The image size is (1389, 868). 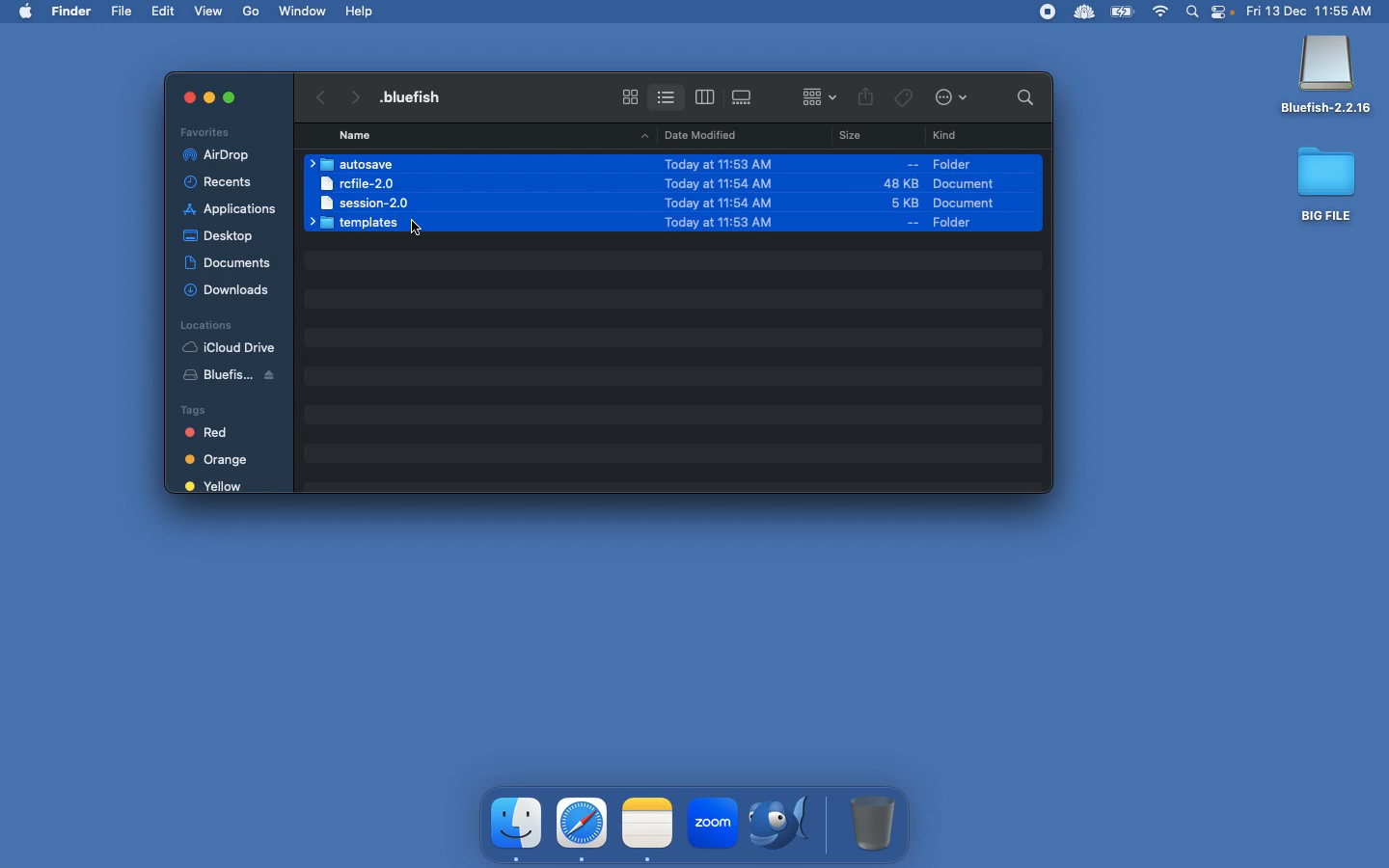 What do you see at coordinates (1064, 12) in the screenshot?
I see `Extensions` at bounding box center [1064, 12].